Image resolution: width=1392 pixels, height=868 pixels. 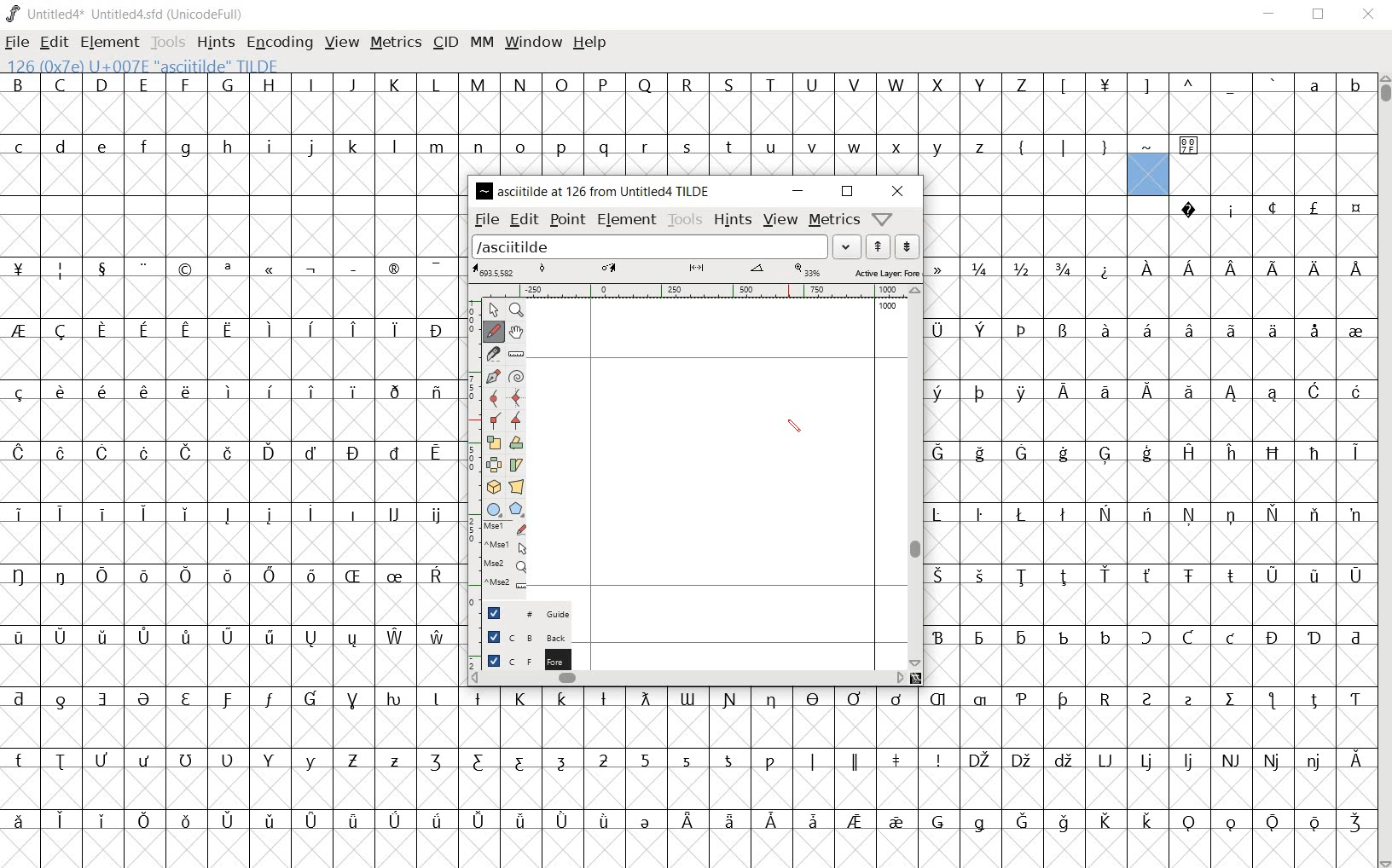 I want to click on CID, so click(x=444, y=42).